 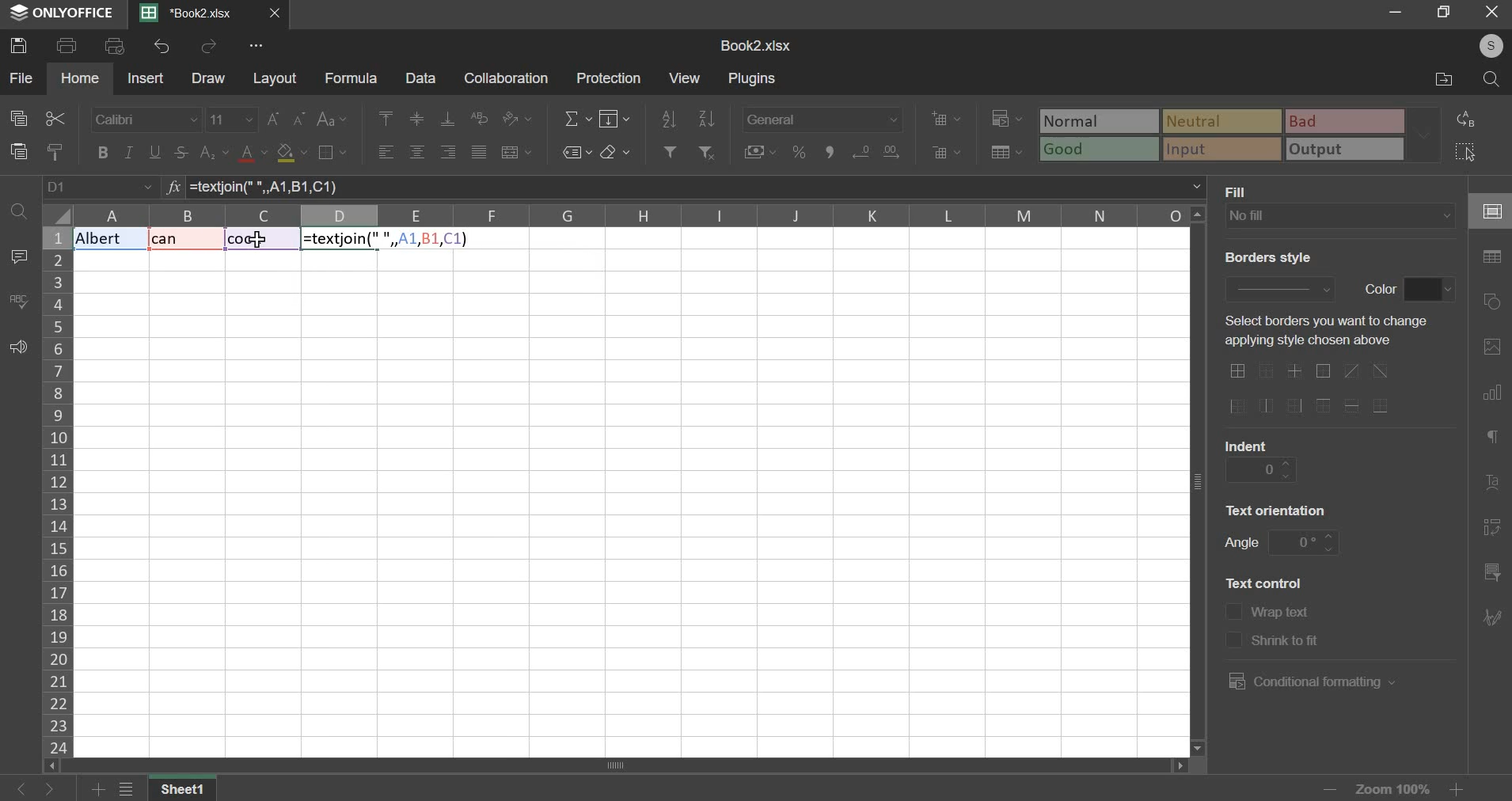 I want to click on text color, so click(x=254, y=154).